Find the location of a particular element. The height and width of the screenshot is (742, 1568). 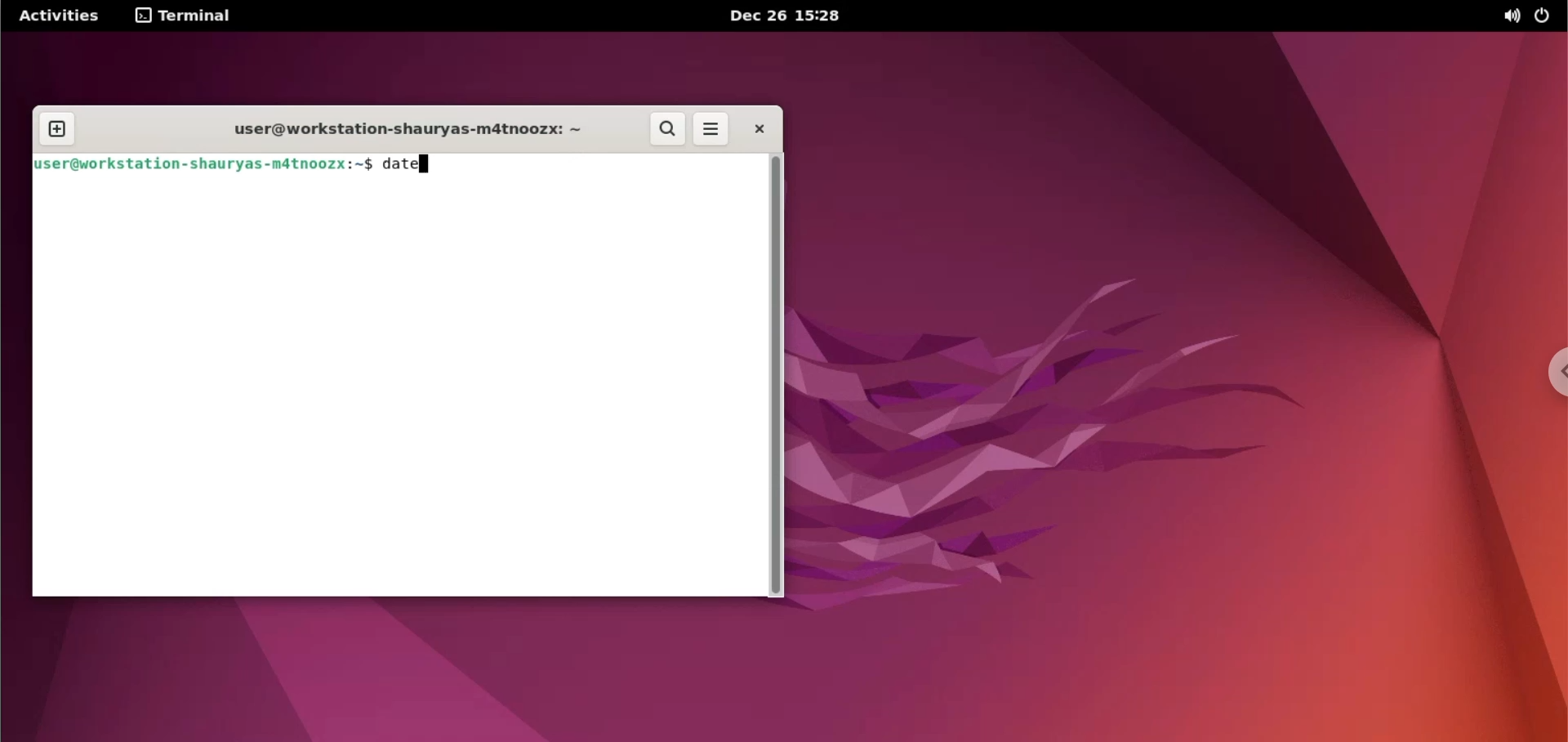

chrome options is located at coordinates (1549, 372).